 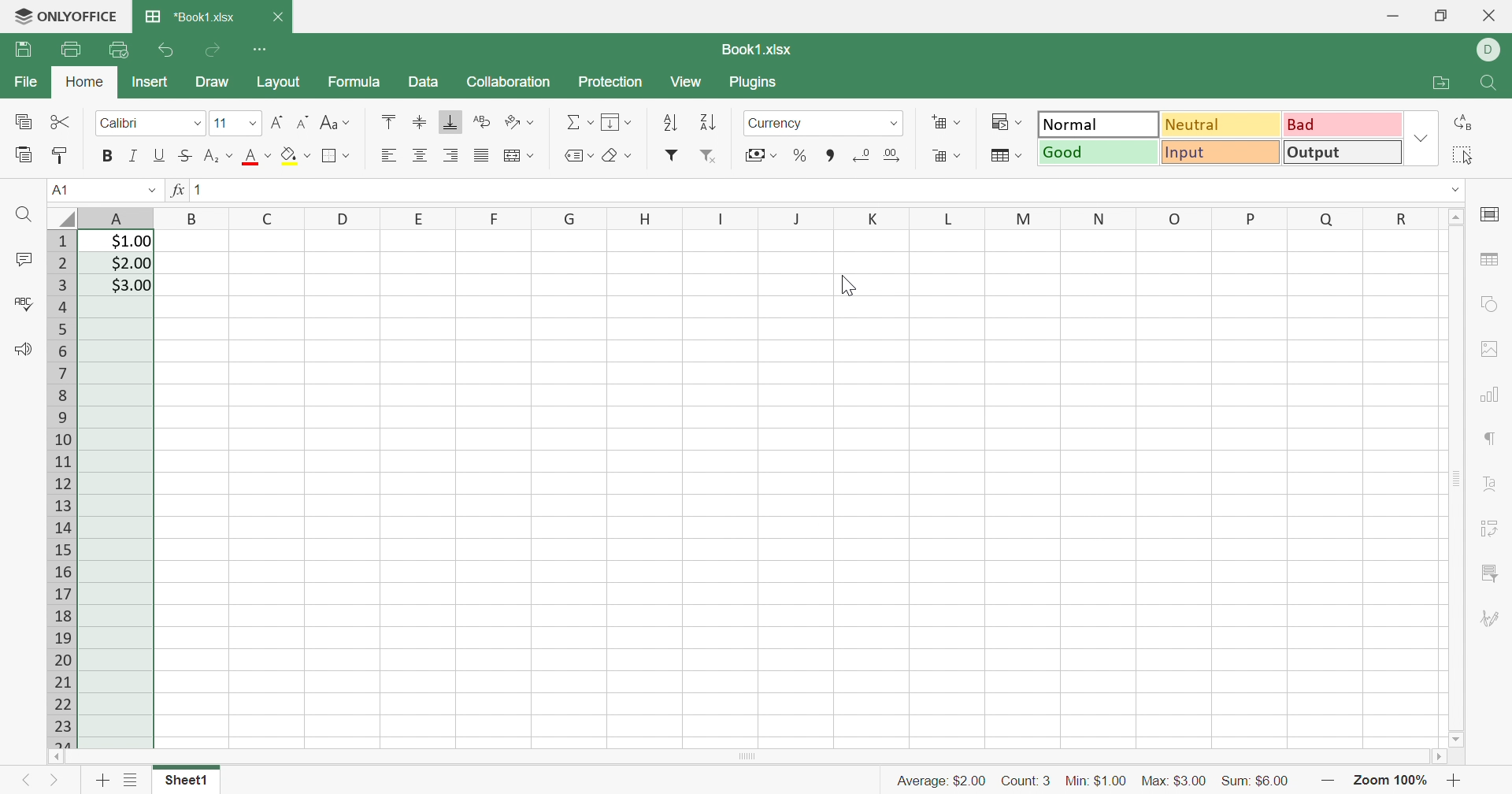 I want to click on Delete cells, so click(x=946, y=156).